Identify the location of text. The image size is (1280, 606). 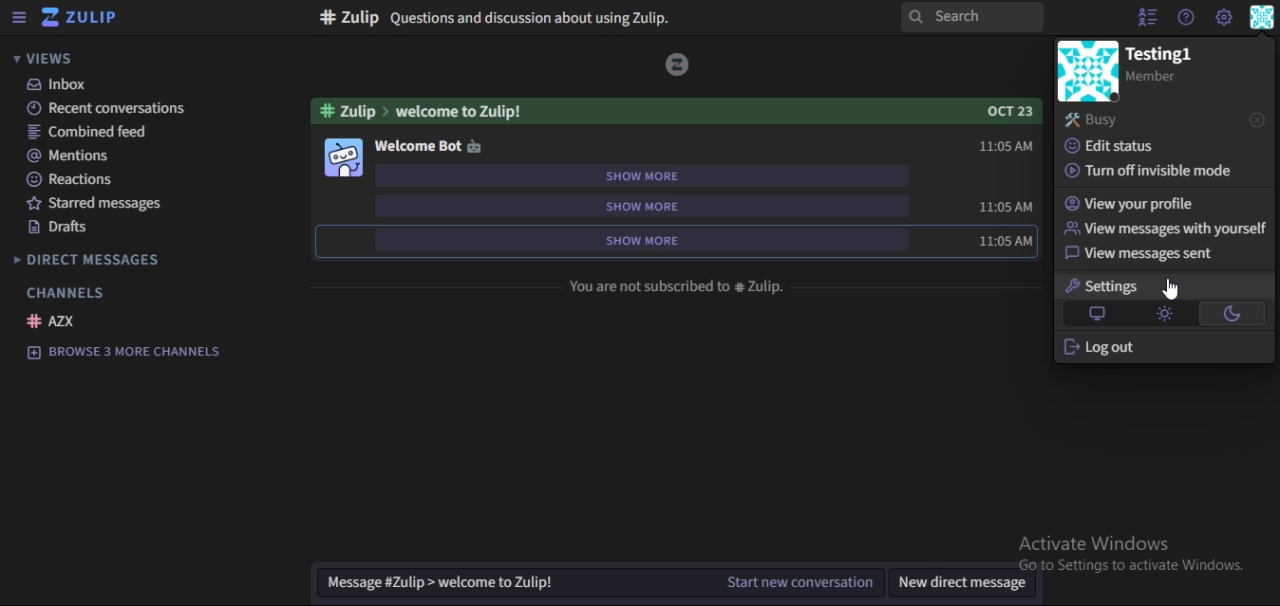
(1170, 63).